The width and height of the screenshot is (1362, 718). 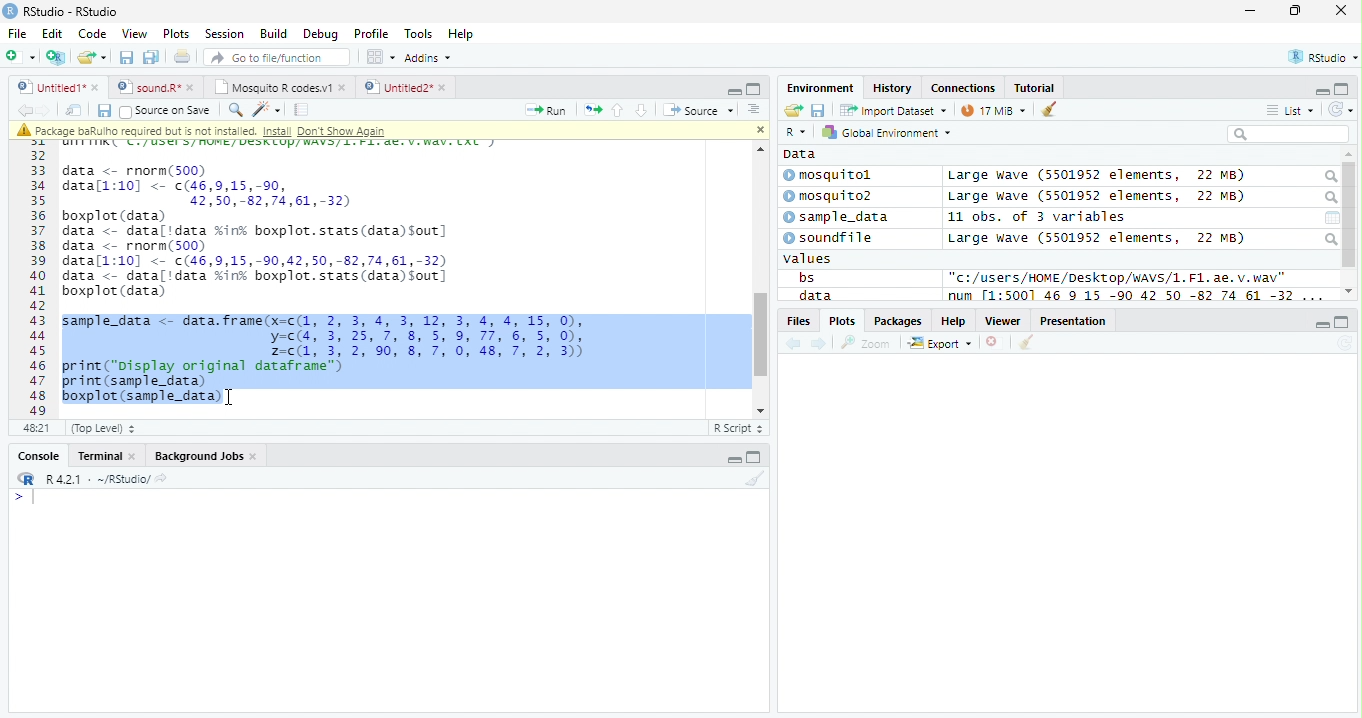 What do you see at coordinates (818, 110) in the screenshot?
I see `Save` at bounding box center [818, 110].